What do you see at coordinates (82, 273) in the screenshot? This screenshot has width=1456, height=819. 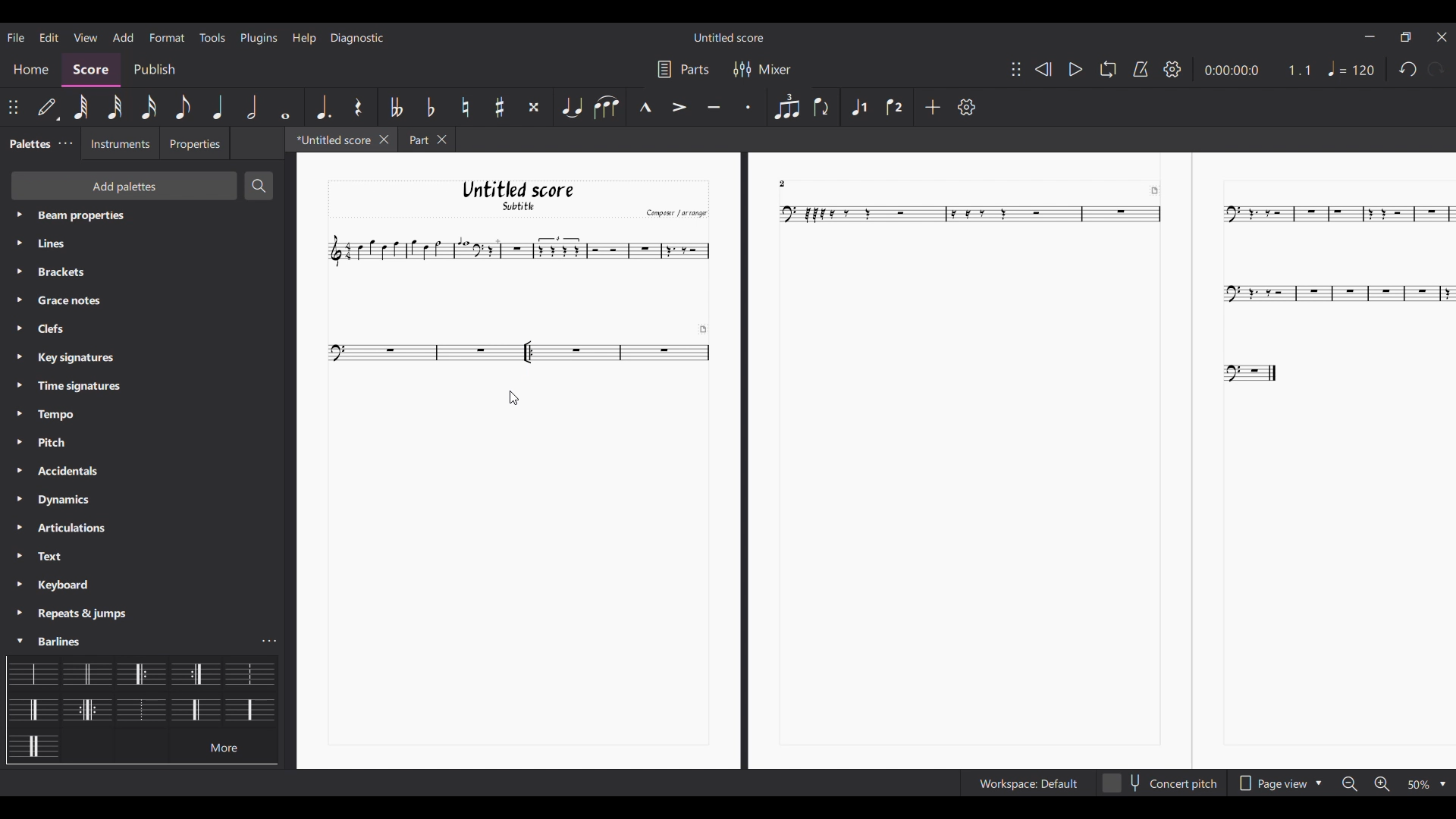 I see `Palette settings` at bounding box center [82, 273].